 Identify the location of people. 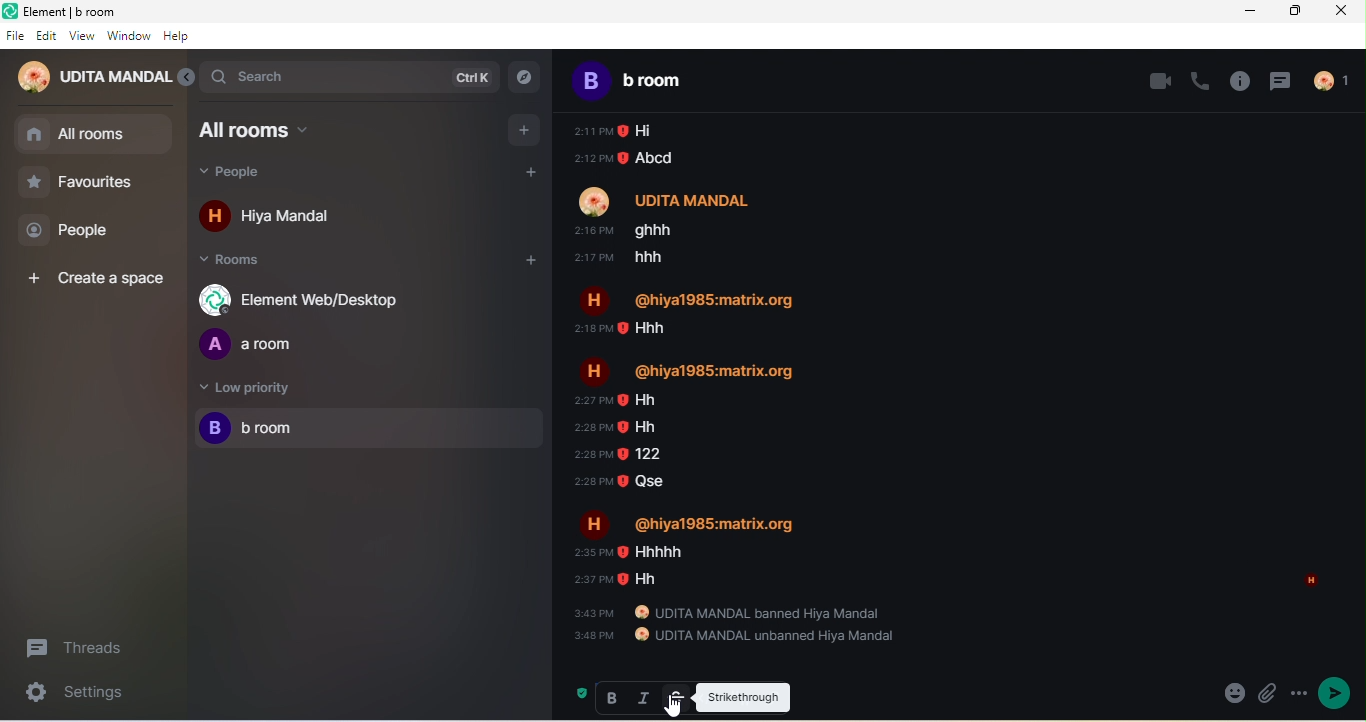
(78, 231).